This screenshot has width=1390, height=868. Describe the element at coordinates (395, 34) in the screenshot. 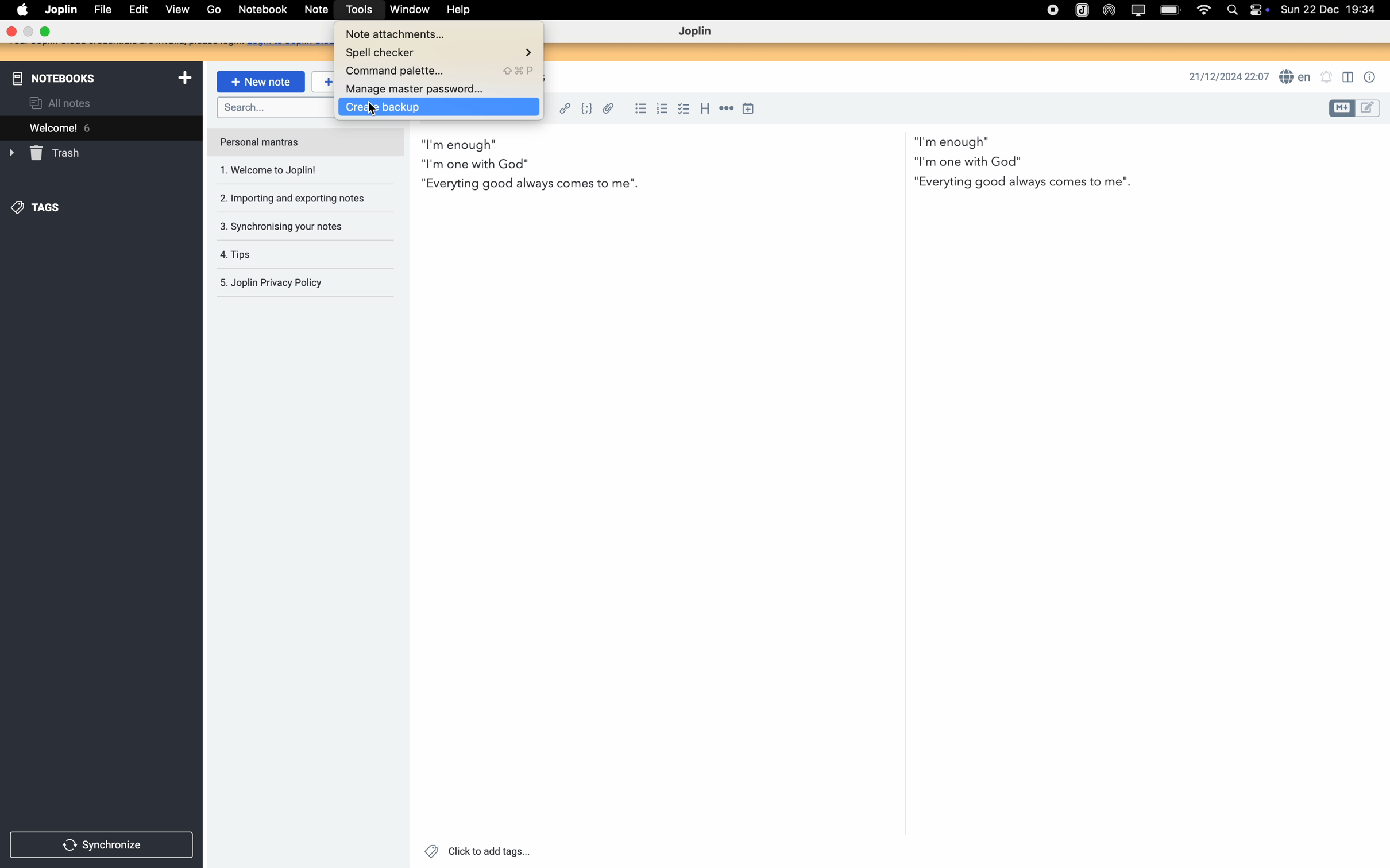

I see `note attachments` at that location.